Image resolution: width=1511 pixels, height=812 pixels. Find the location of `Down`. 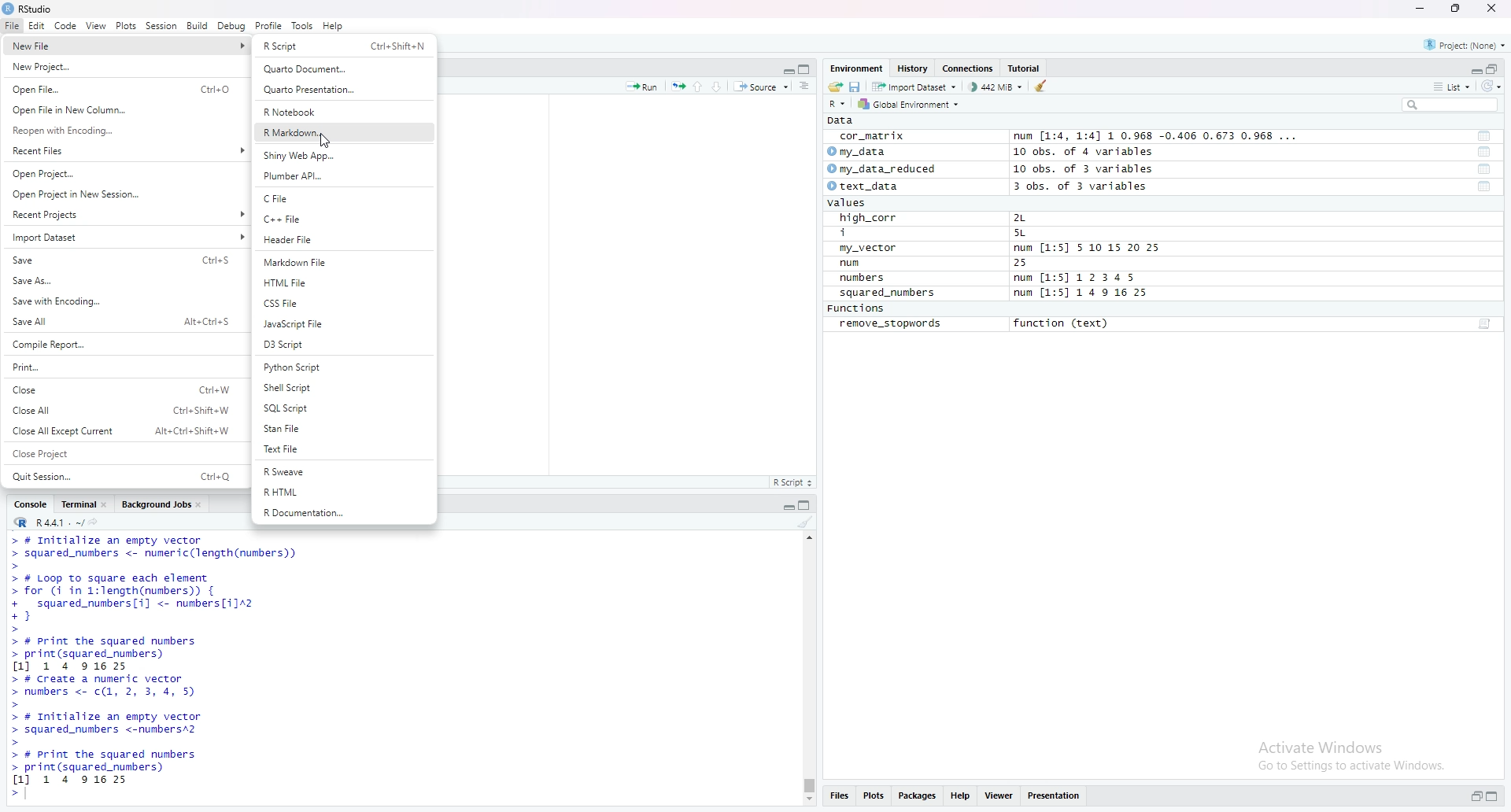

Down is located at coordinates (722, 85).